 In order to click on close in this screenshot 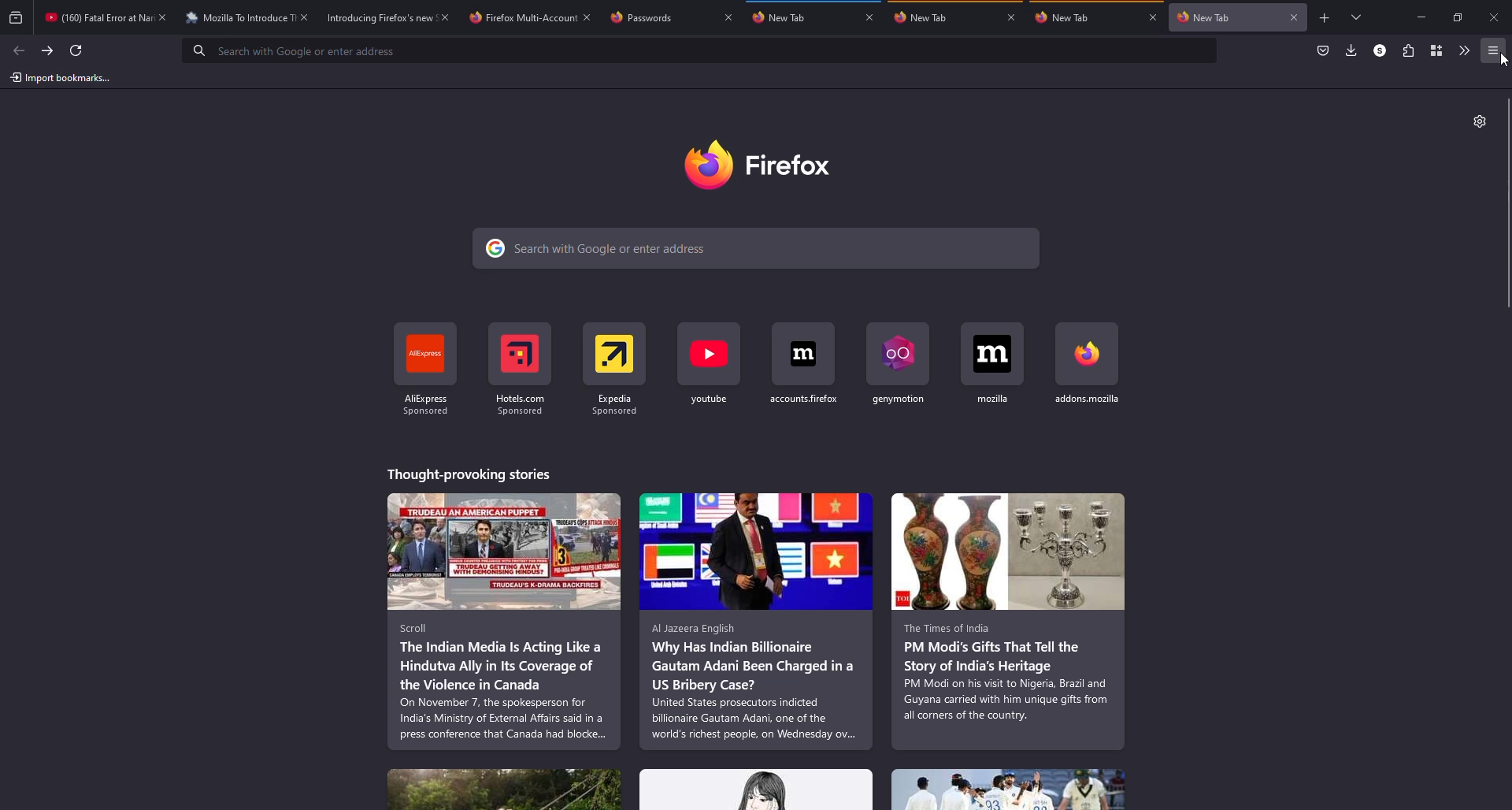, I will do `click(304, 17)`.